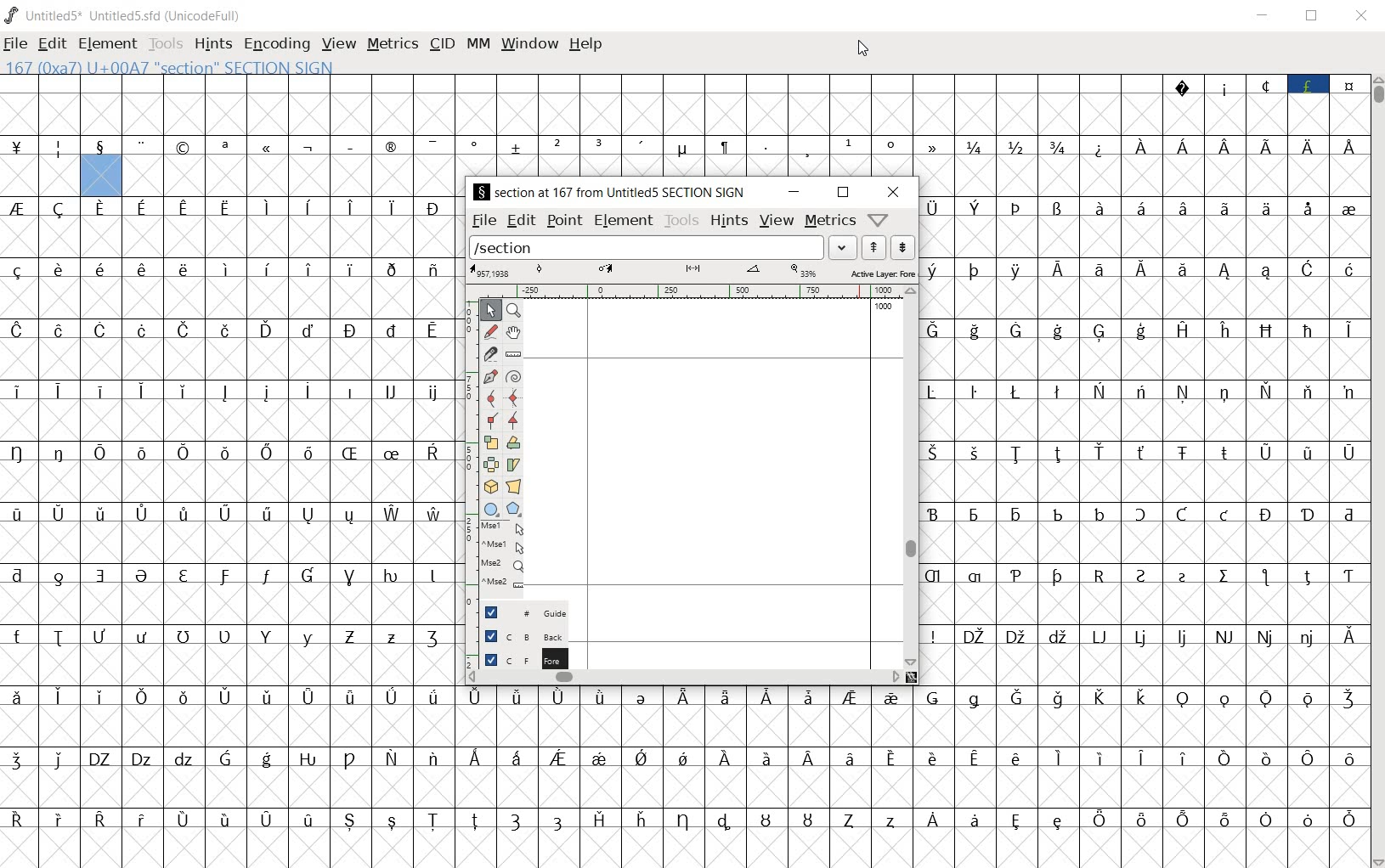  I want to click on empty cells, so click(683, 114).